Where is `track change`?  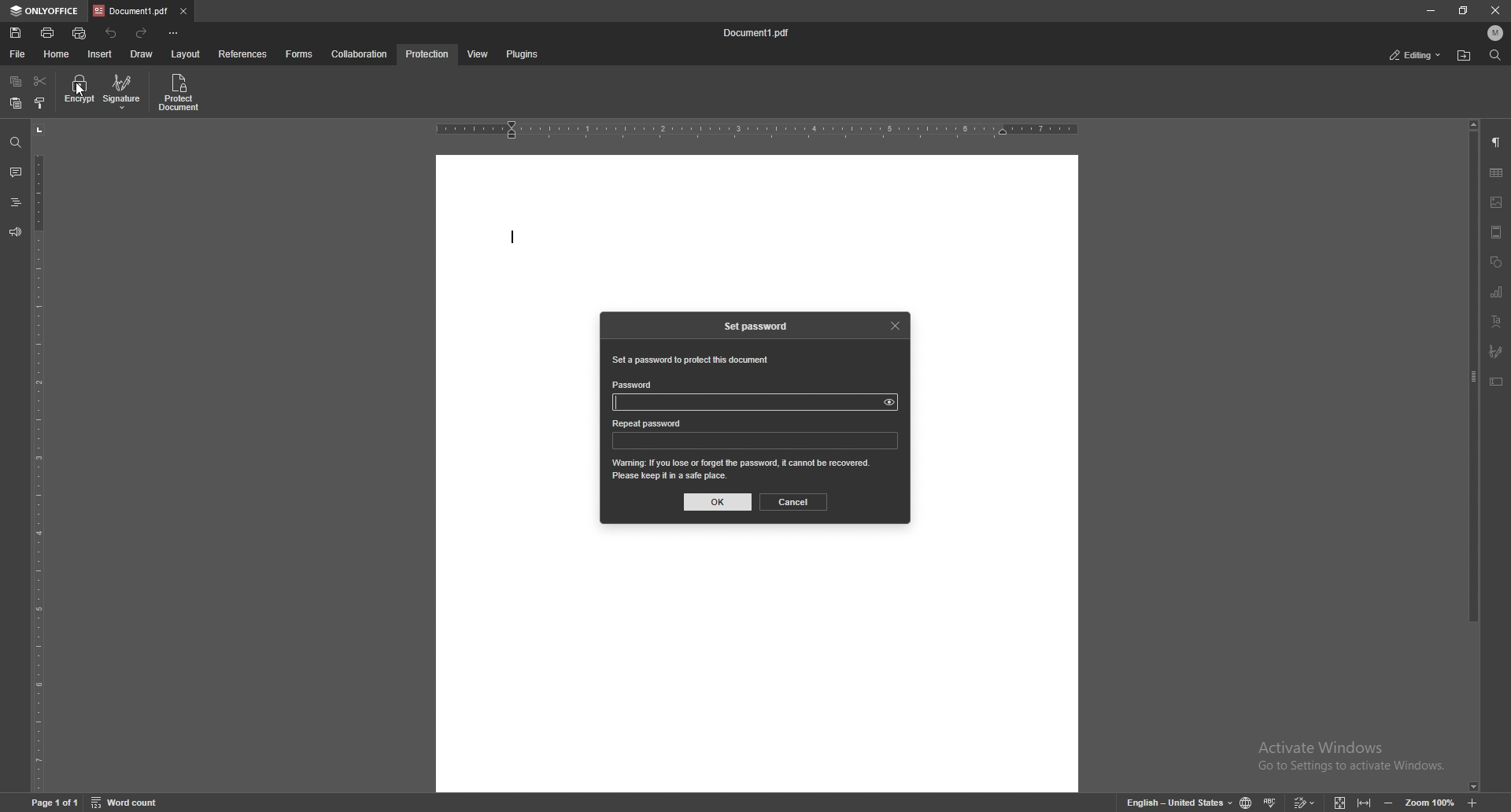 track change is located at coordinates (1306, 802).